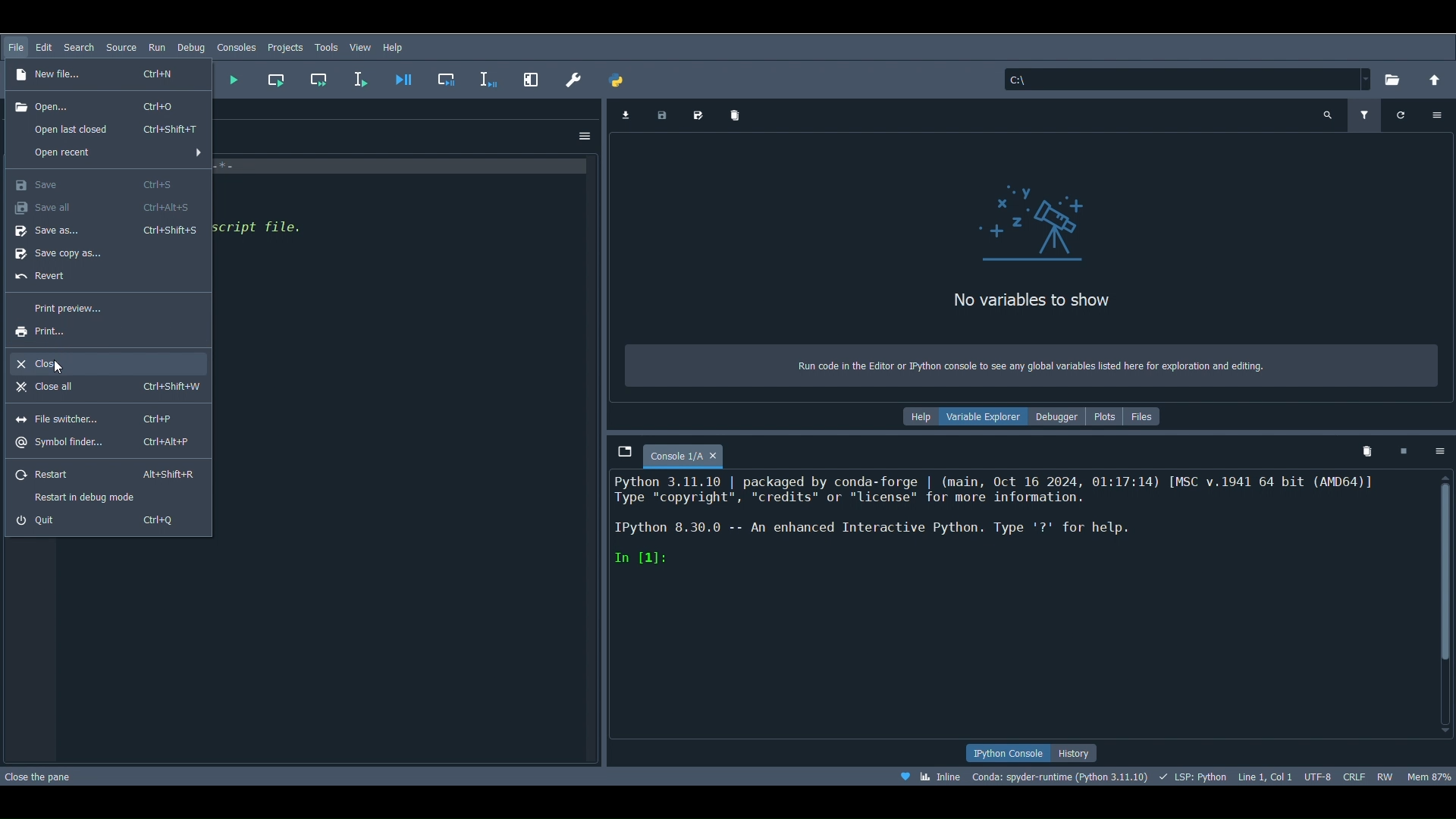 This screenshot has width=1456, height=819. I want to click on Consoles, so click(237, 47).